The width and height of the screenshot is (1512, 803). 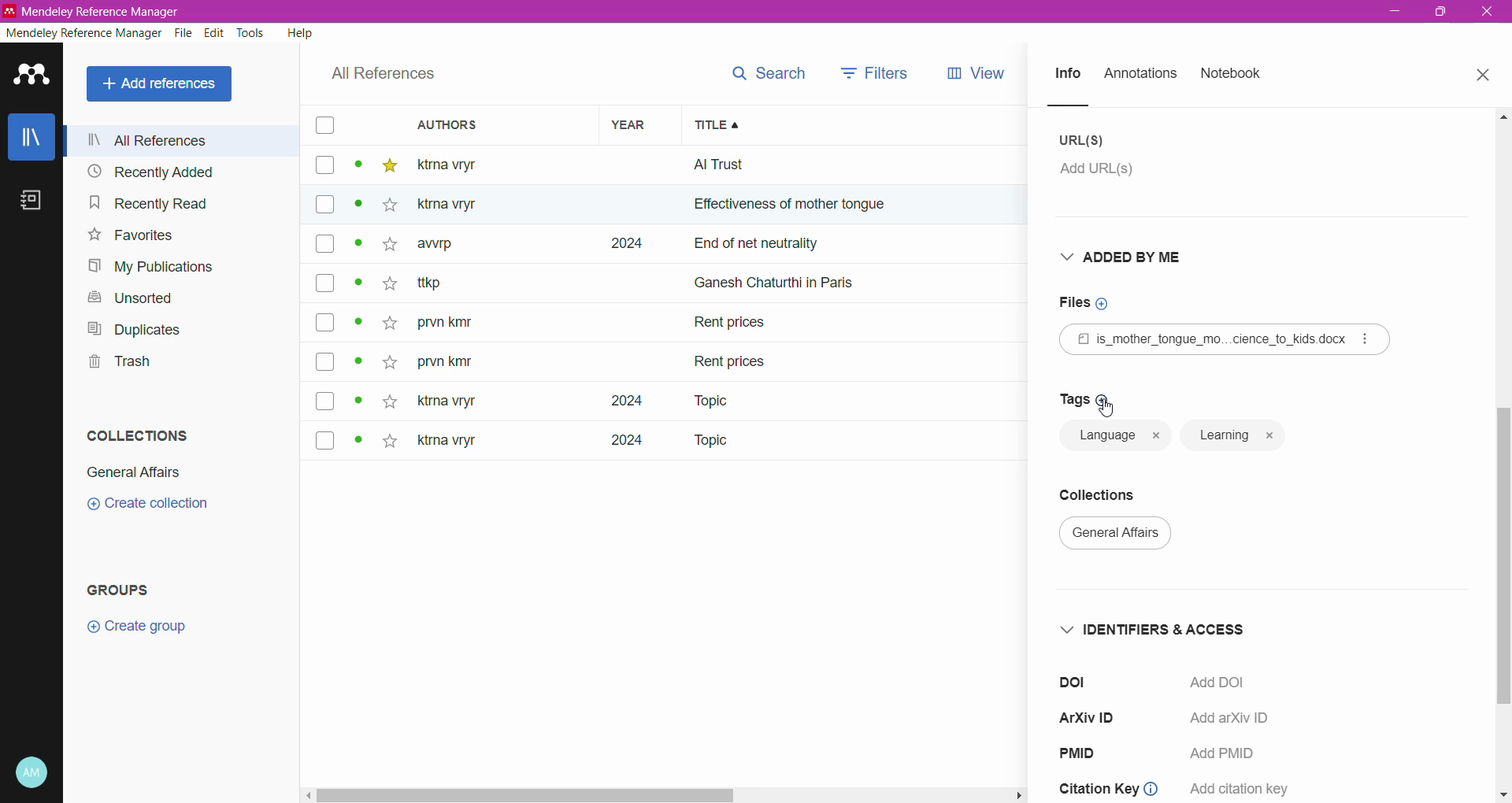 What do you see at coordinates (454, 324) in the screenshot?
I see `prvn kity` at bounding box center [454, 324].